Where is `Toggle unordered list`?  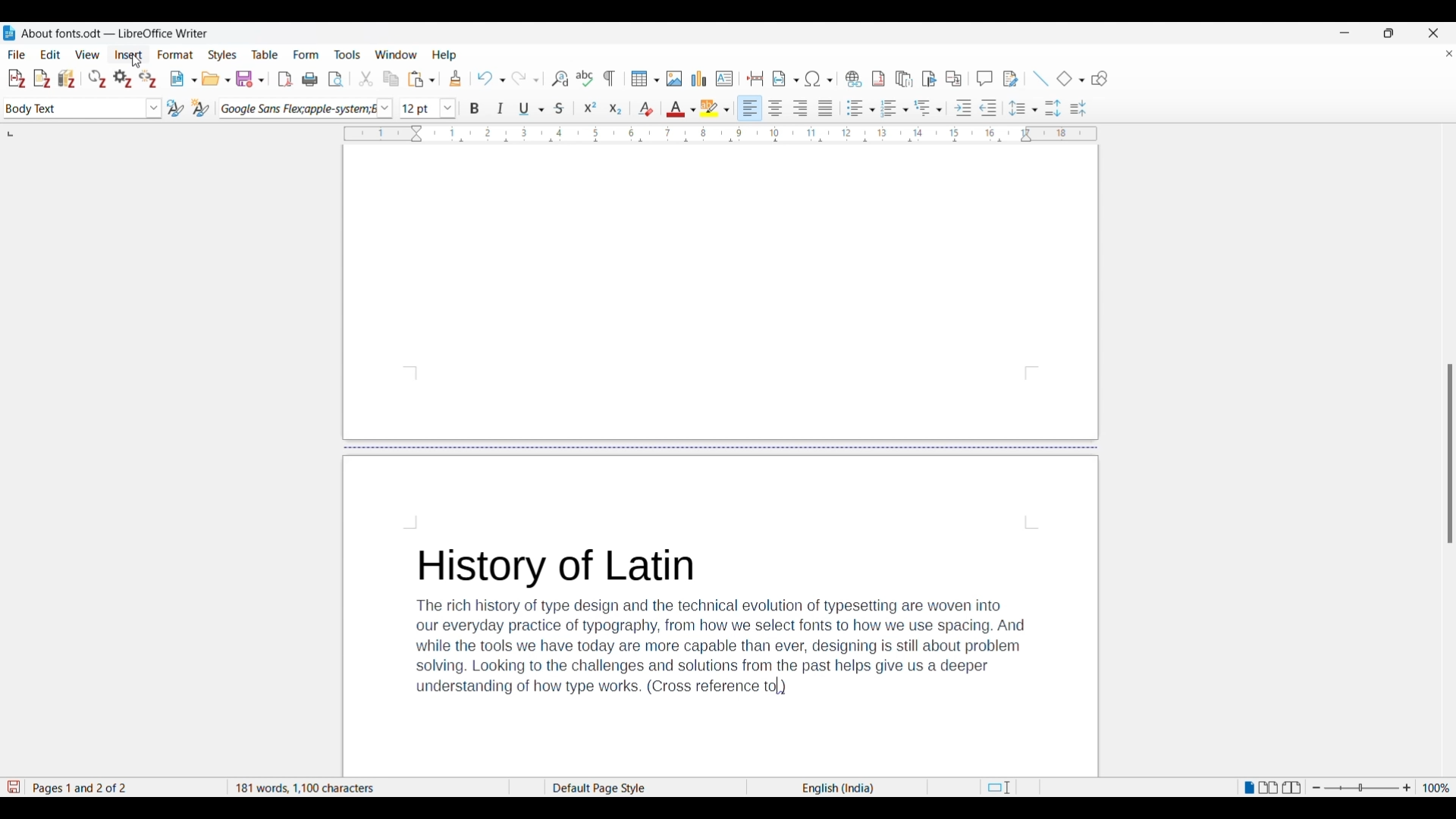
Toggle unordered list is located at coordinates (861, 108).